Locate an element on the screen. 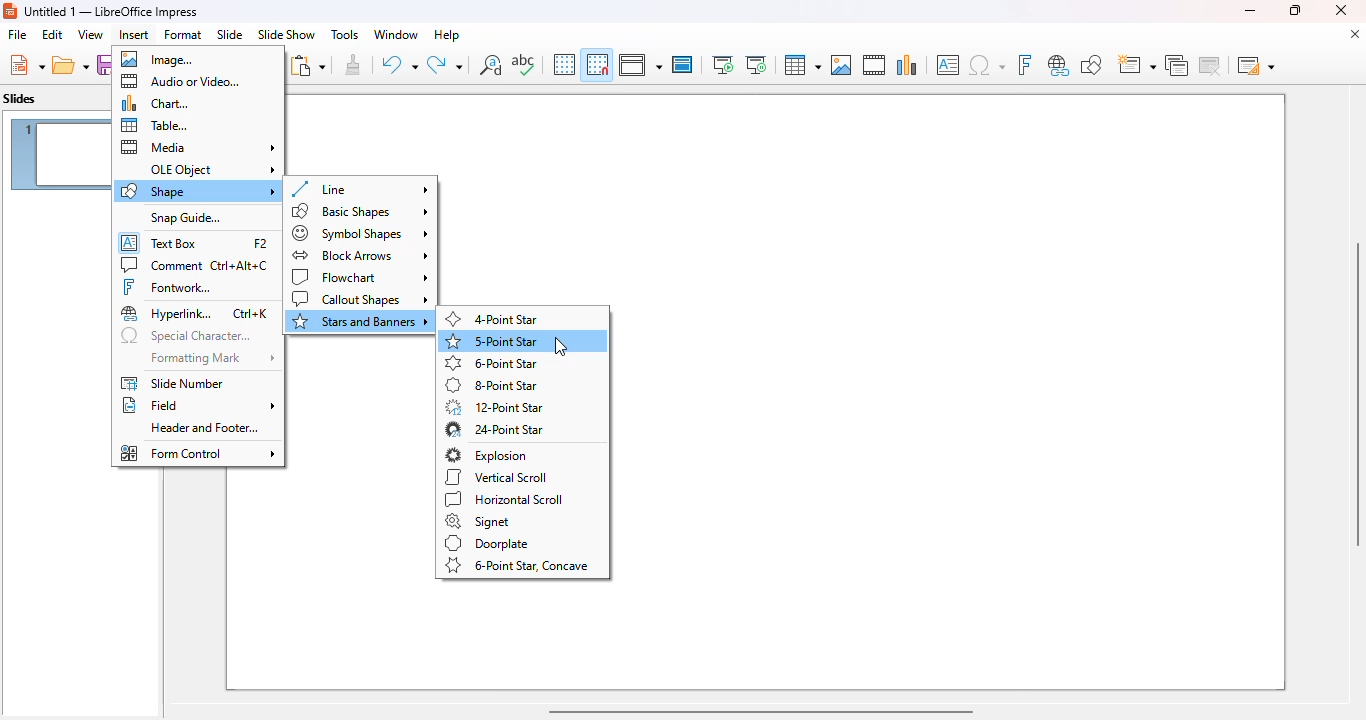 Image resolution: width=1366 pixels, height=720 pixels. media is located at coordinates (198, 147).